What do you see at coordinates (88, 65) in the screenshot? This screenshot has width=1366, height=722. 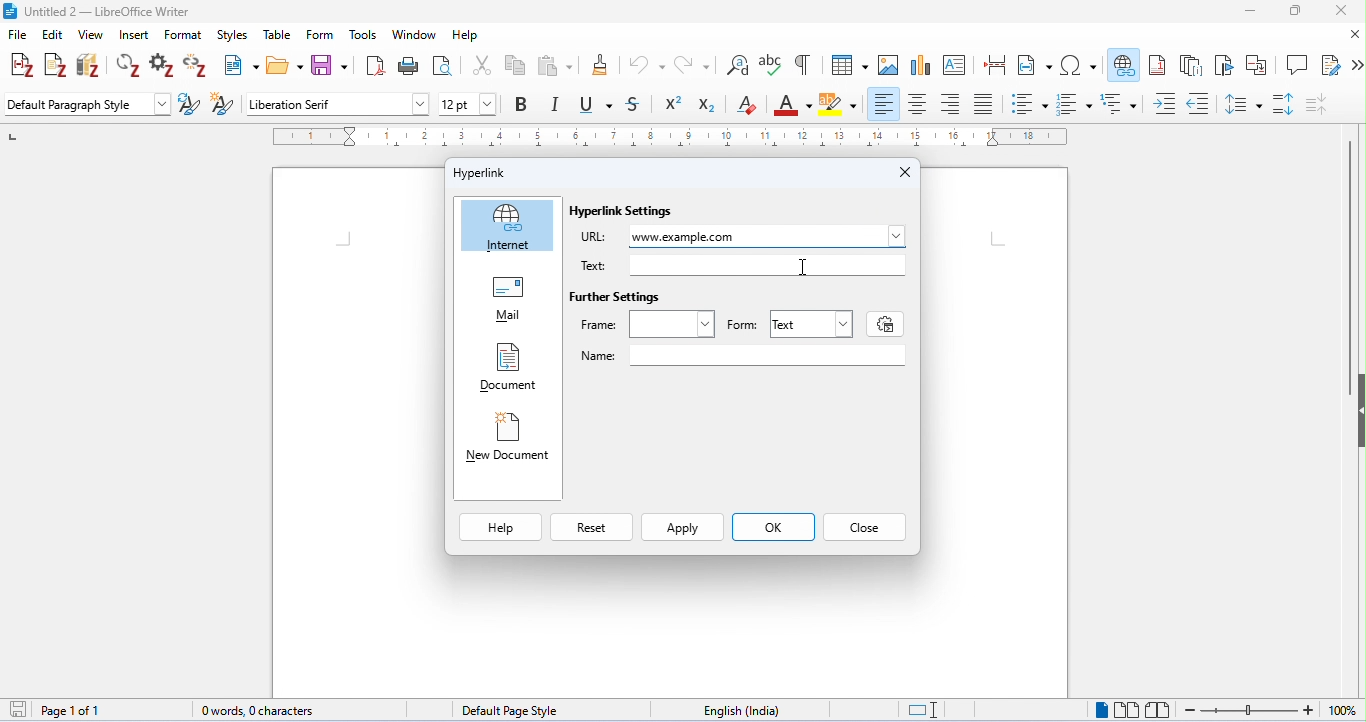 I see `add/edit bibliography` at bounding box center [88, 65].